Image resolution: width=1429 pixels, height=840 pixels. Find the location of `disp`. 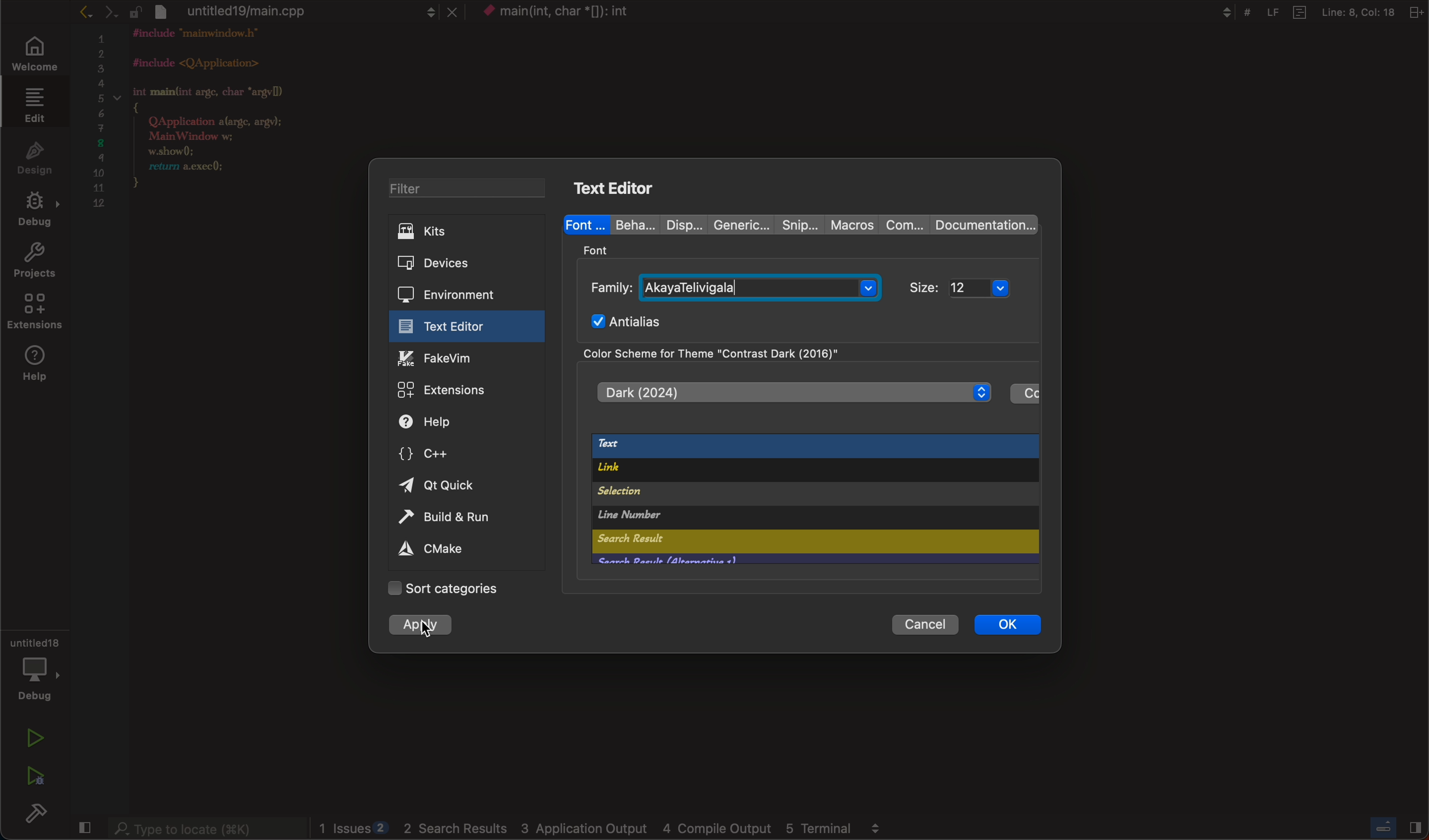

disp is located at coordinates (677, 224).